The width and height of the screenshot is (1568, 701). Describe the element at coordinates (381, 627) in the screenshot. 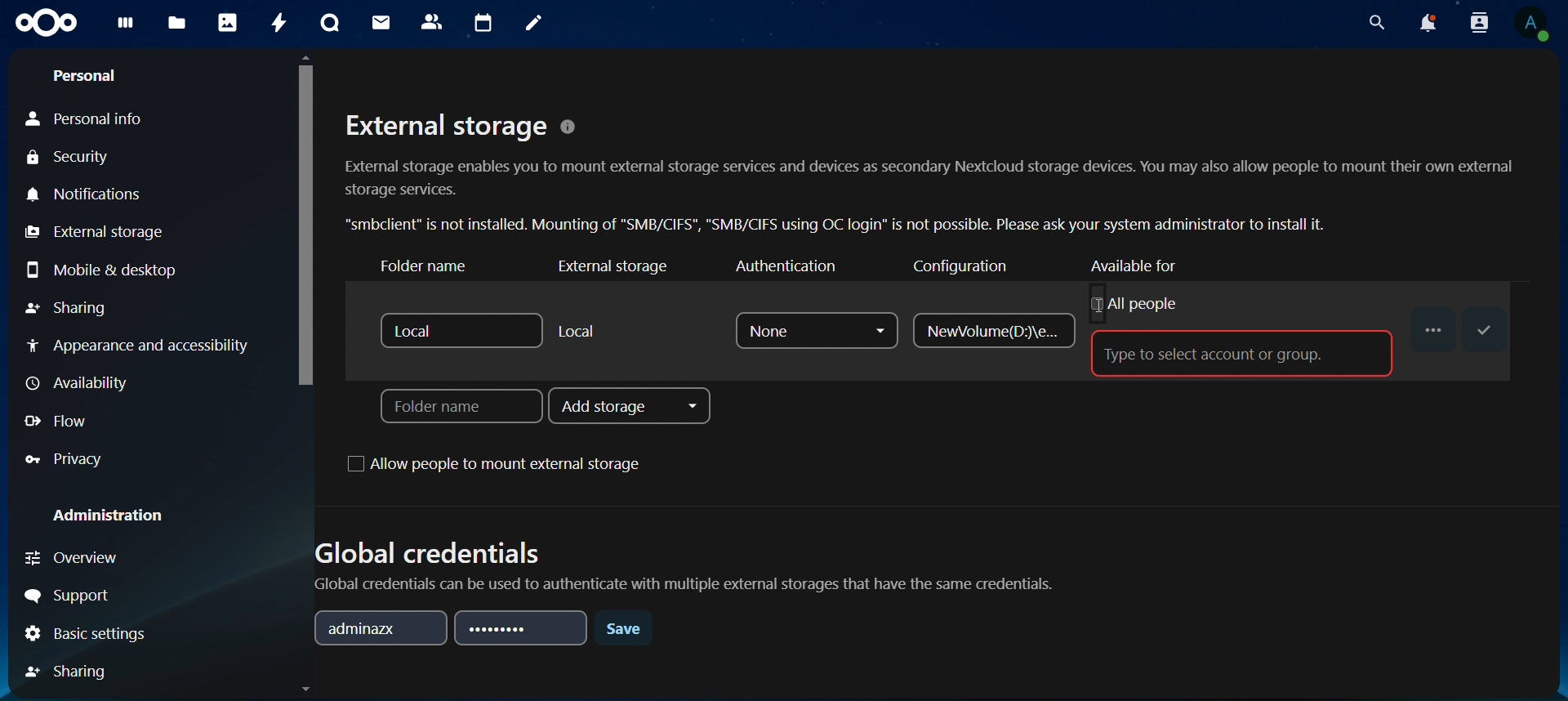

I see `adminazx` at that location.